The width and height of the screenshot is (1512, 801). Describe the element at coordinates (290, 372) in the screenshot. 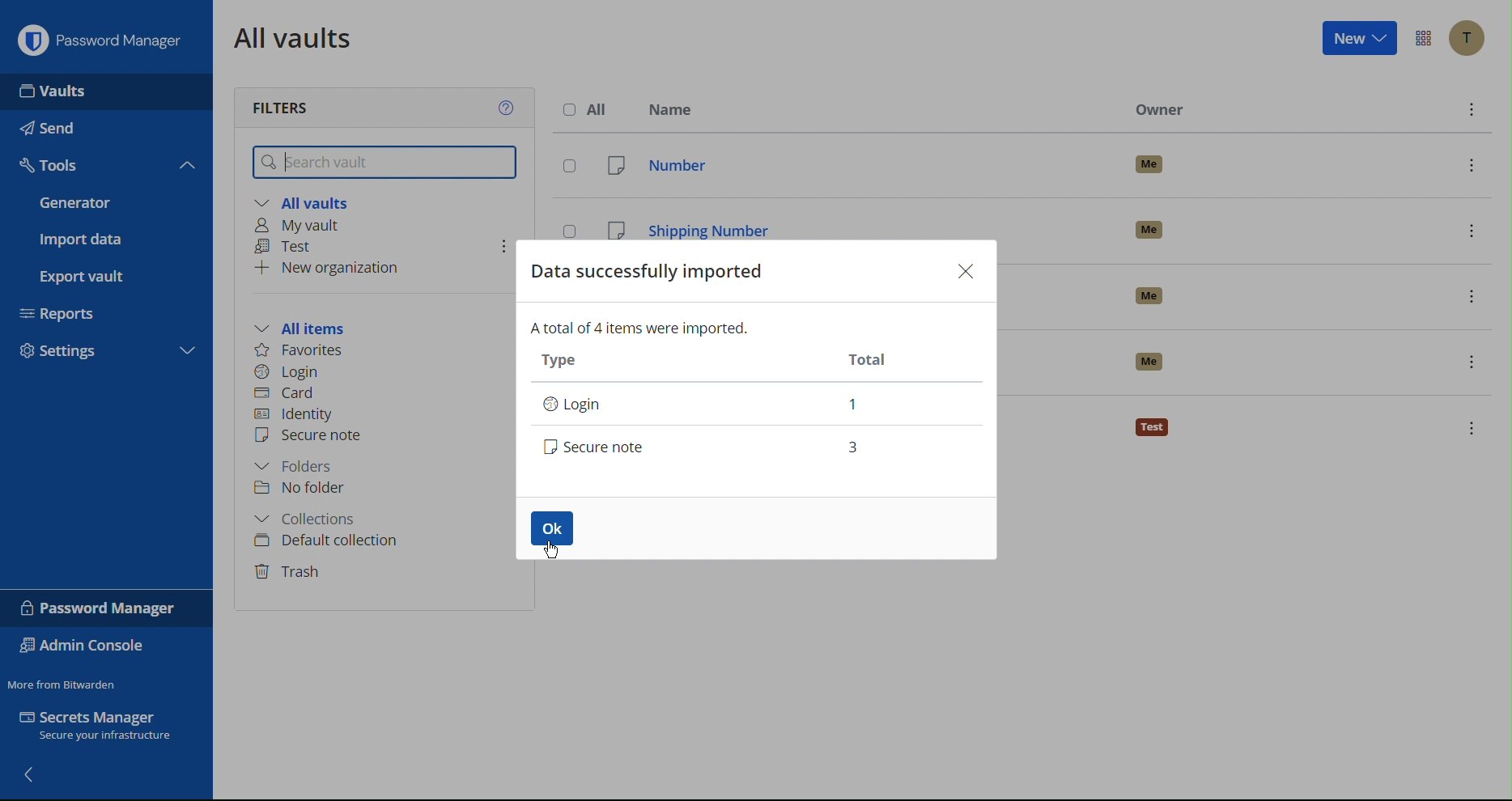

I see `Login` at that location.